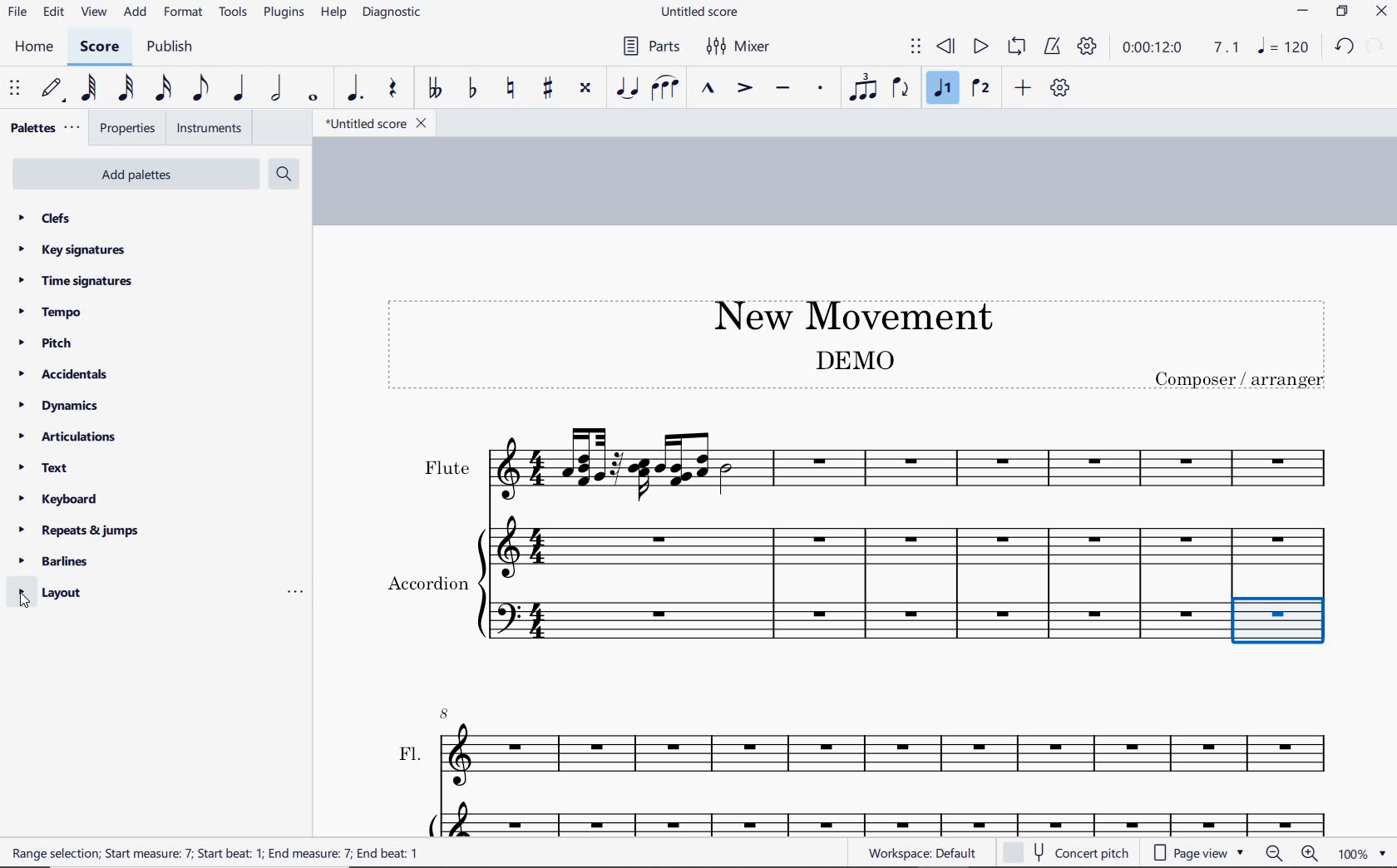 Image resolution: width=1397 pixels, height=868 pixels. What do you see at coordinates (238, 89) in the screenshot?
I see `quarter note` at bounding box center [238, 89].